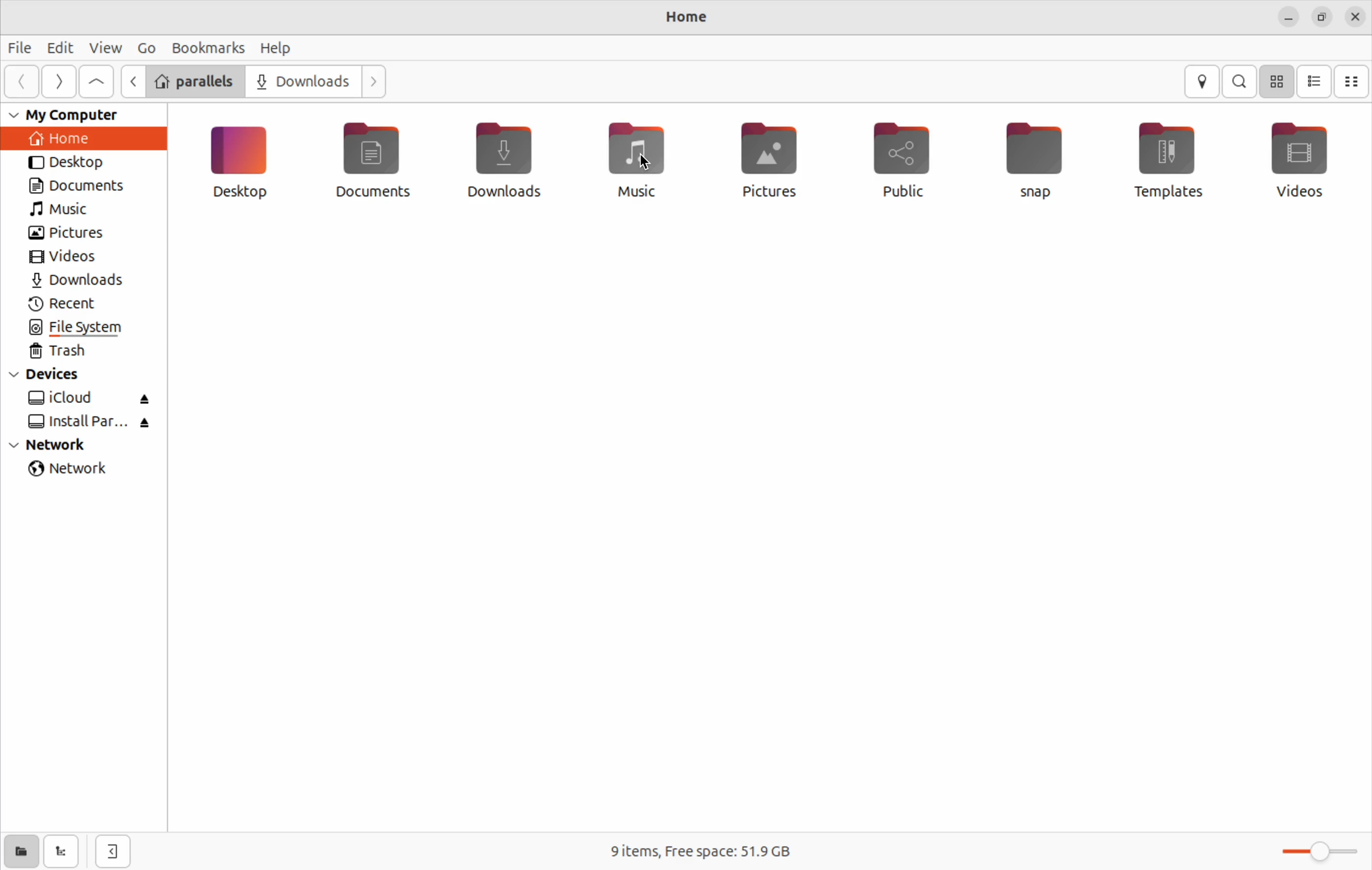 This screenshot has height=870, width=1372. I want to click on cursor, so click(648, 164).